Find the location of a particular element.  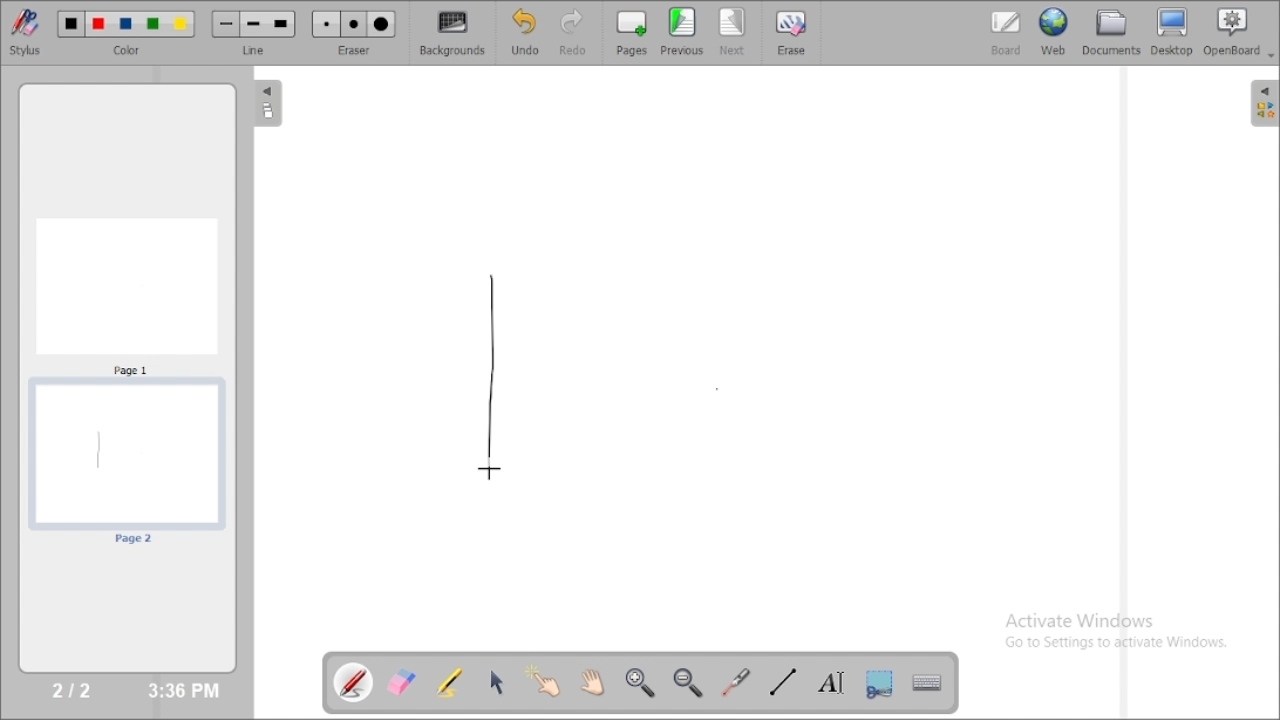

draw lines is located at coordinates (782, 681).